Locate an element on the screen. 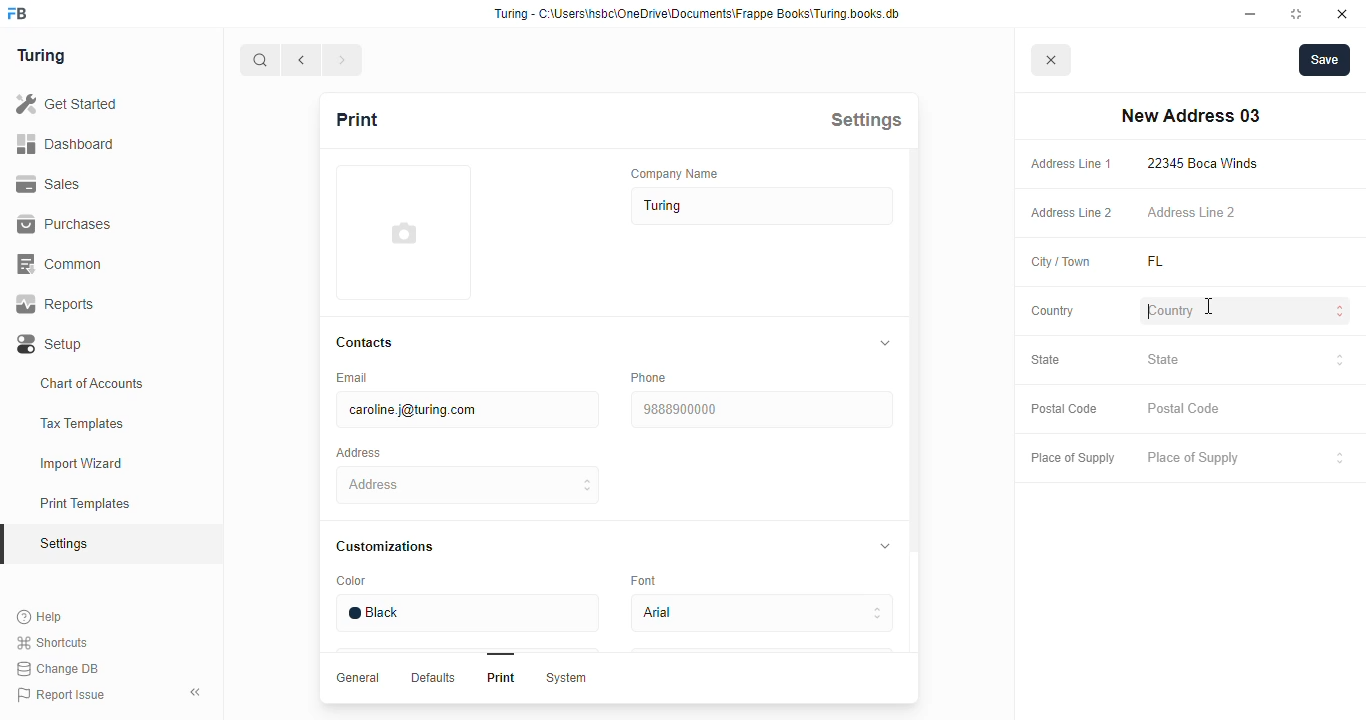 This screenshot has height=720, width=1366. state is located at coordinates (1246, 362).